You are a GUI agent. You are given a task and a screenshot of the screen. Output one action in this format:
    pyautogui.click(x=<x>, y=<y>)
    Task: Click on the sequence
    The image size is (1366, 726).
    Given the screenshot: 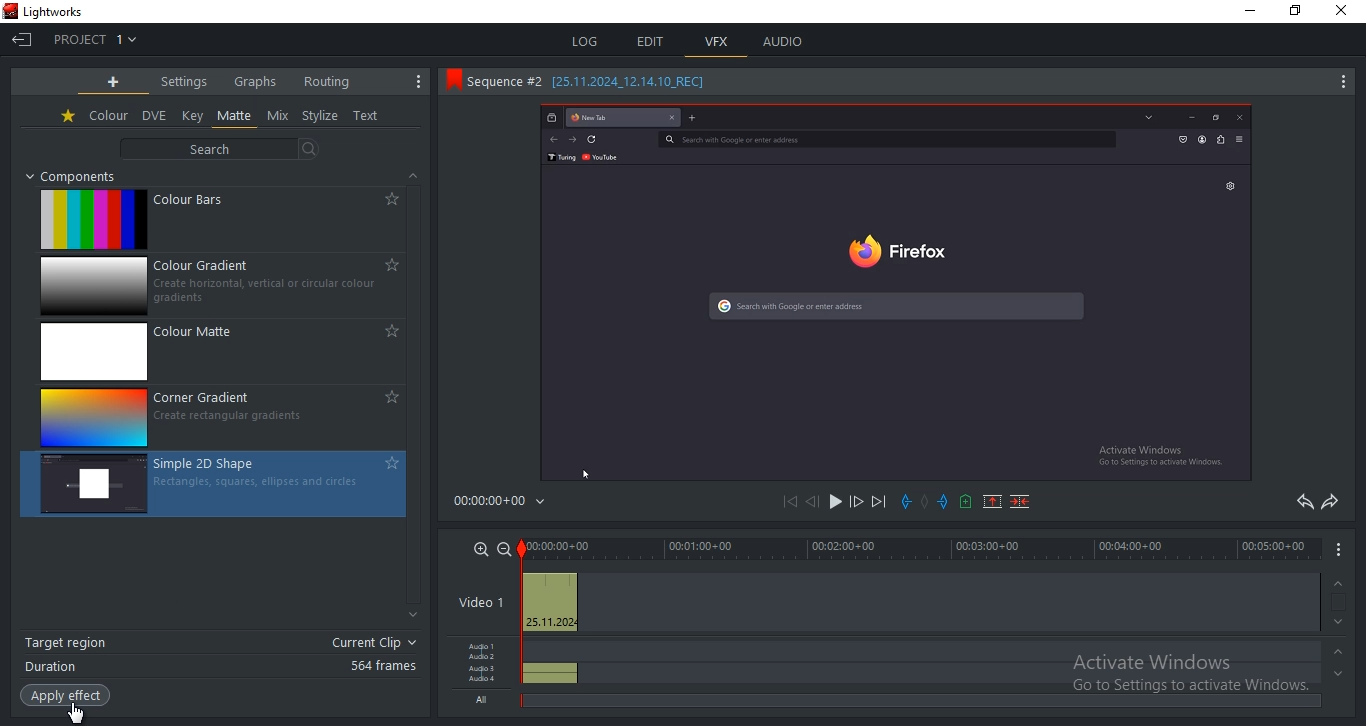 What is the action you would take?
    pyautogui.click(x=893, y=295)
    